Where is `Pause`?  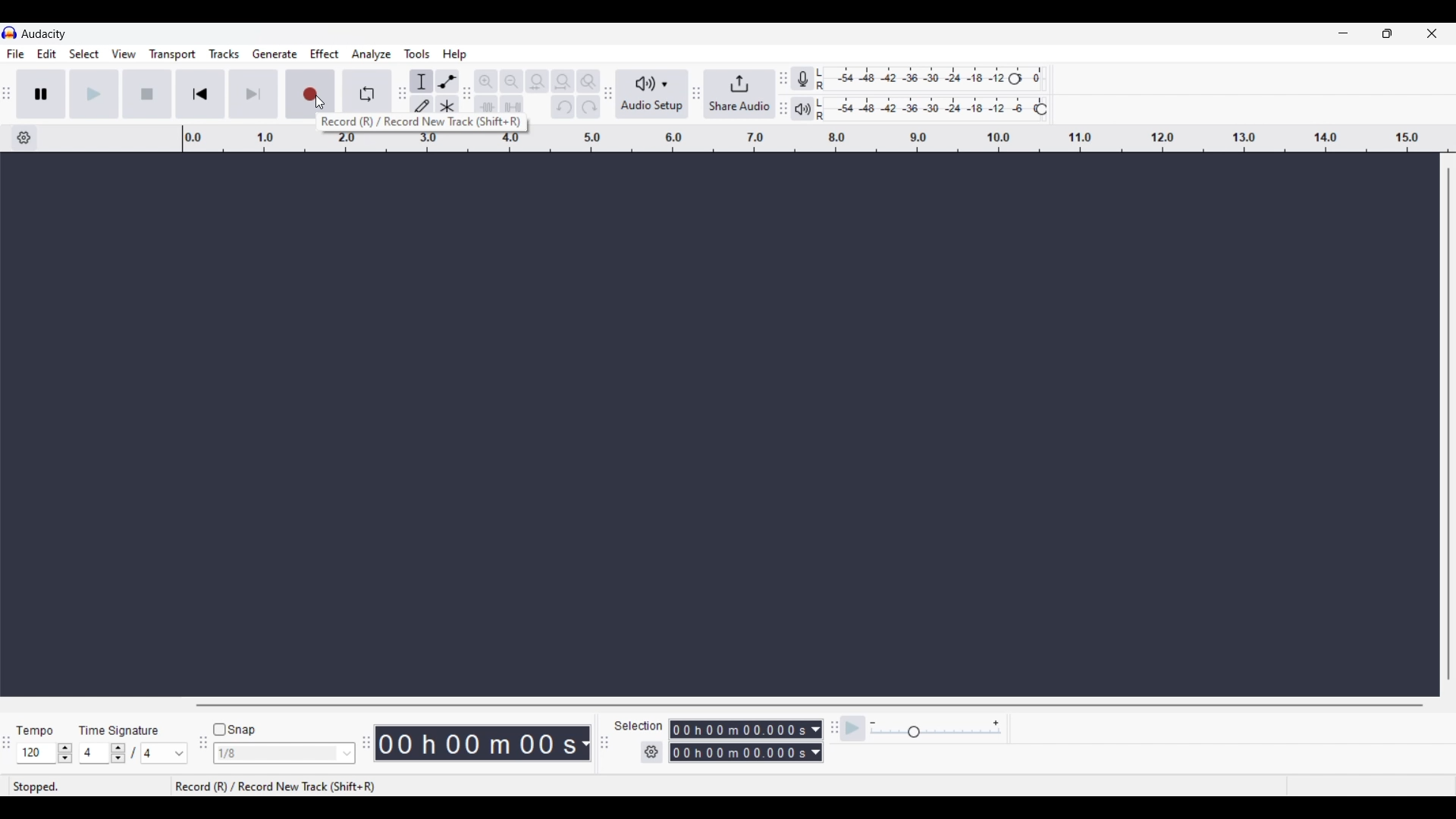 Pause is located at coordinates (41, 94).